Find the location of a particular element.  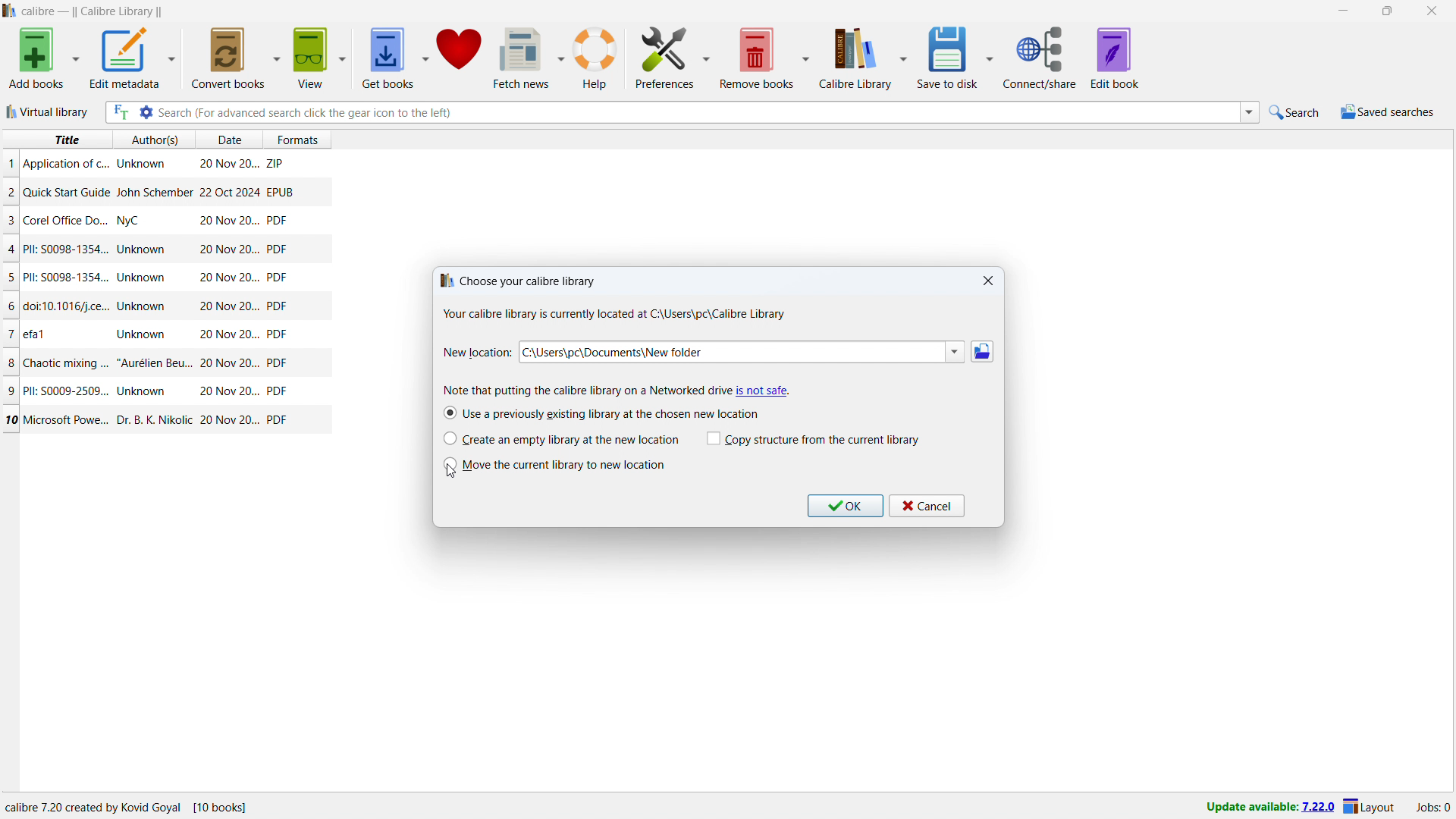

preferences options is located at coordinates (708, 55).